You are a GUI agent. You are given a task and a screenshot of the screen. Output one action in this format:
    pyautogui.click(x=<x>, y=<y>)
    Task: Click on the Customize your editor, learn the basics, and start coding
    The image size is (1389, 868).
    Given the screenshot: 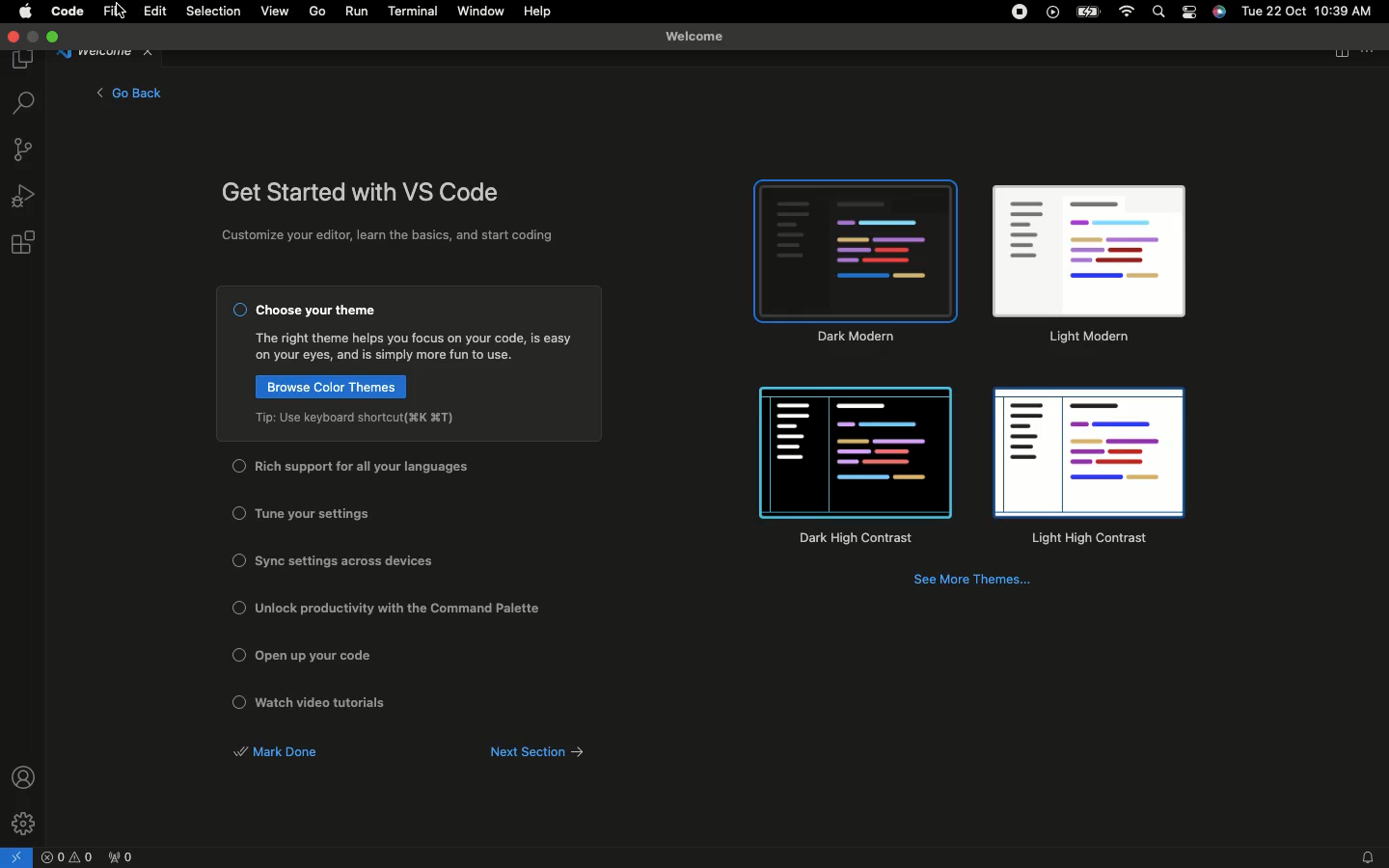 What is the action you would take?
    pyautogui.click(x=392, y=237)
    